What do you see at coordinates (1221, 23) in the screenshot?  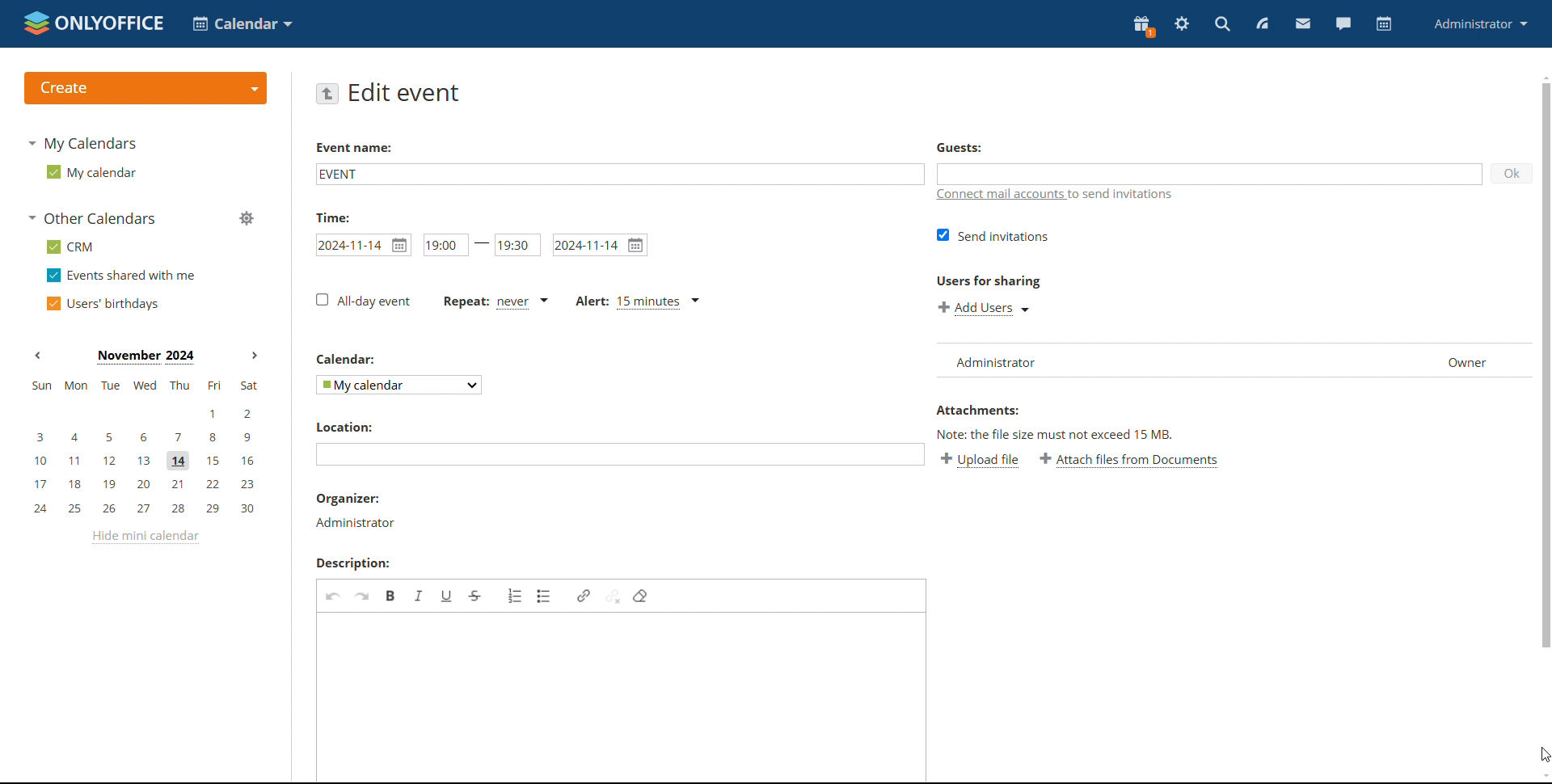 I see `search` at bounding box center [1221, 23].